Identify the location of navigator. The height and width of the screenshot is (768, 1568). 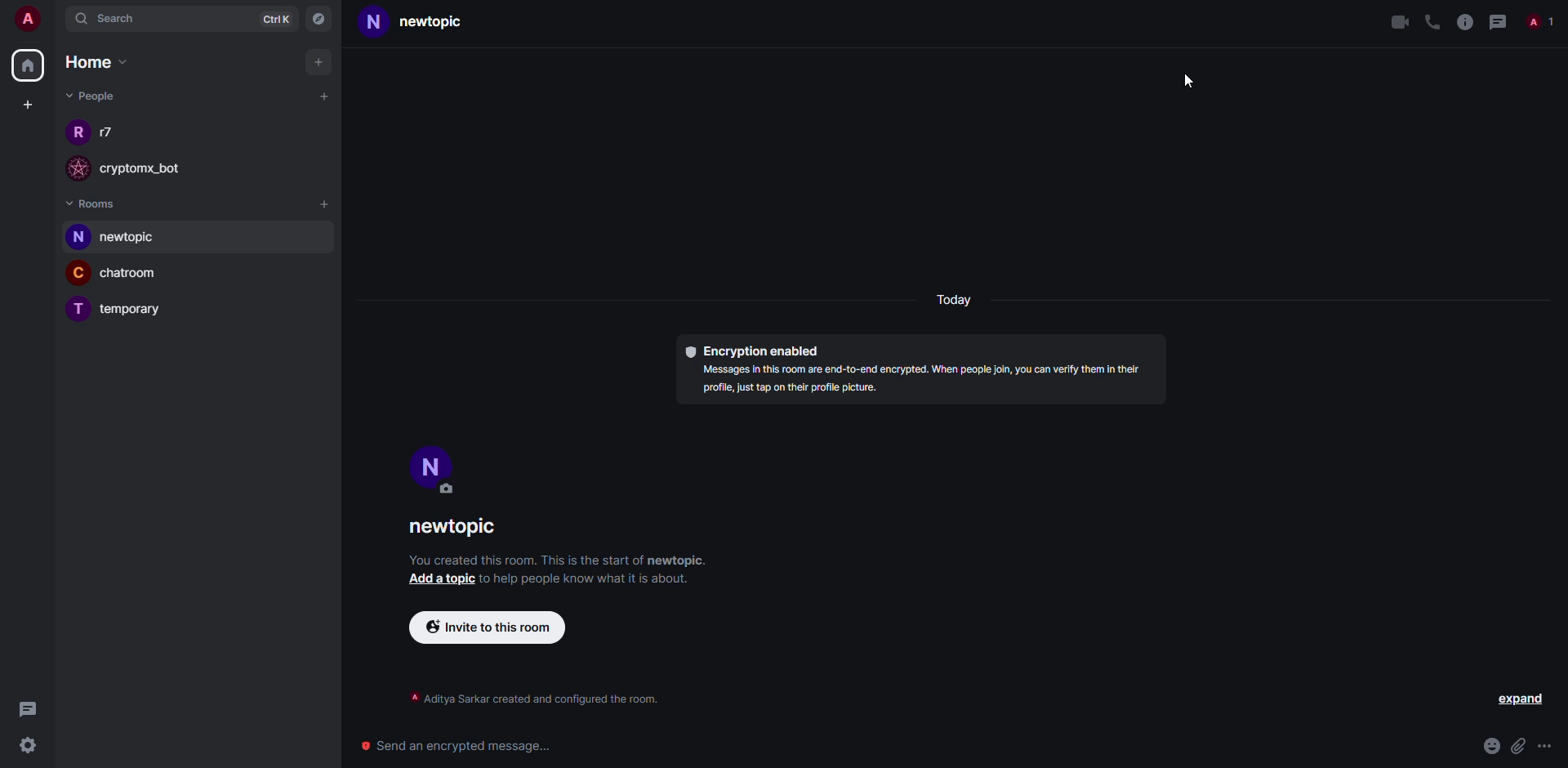
(320, 19).